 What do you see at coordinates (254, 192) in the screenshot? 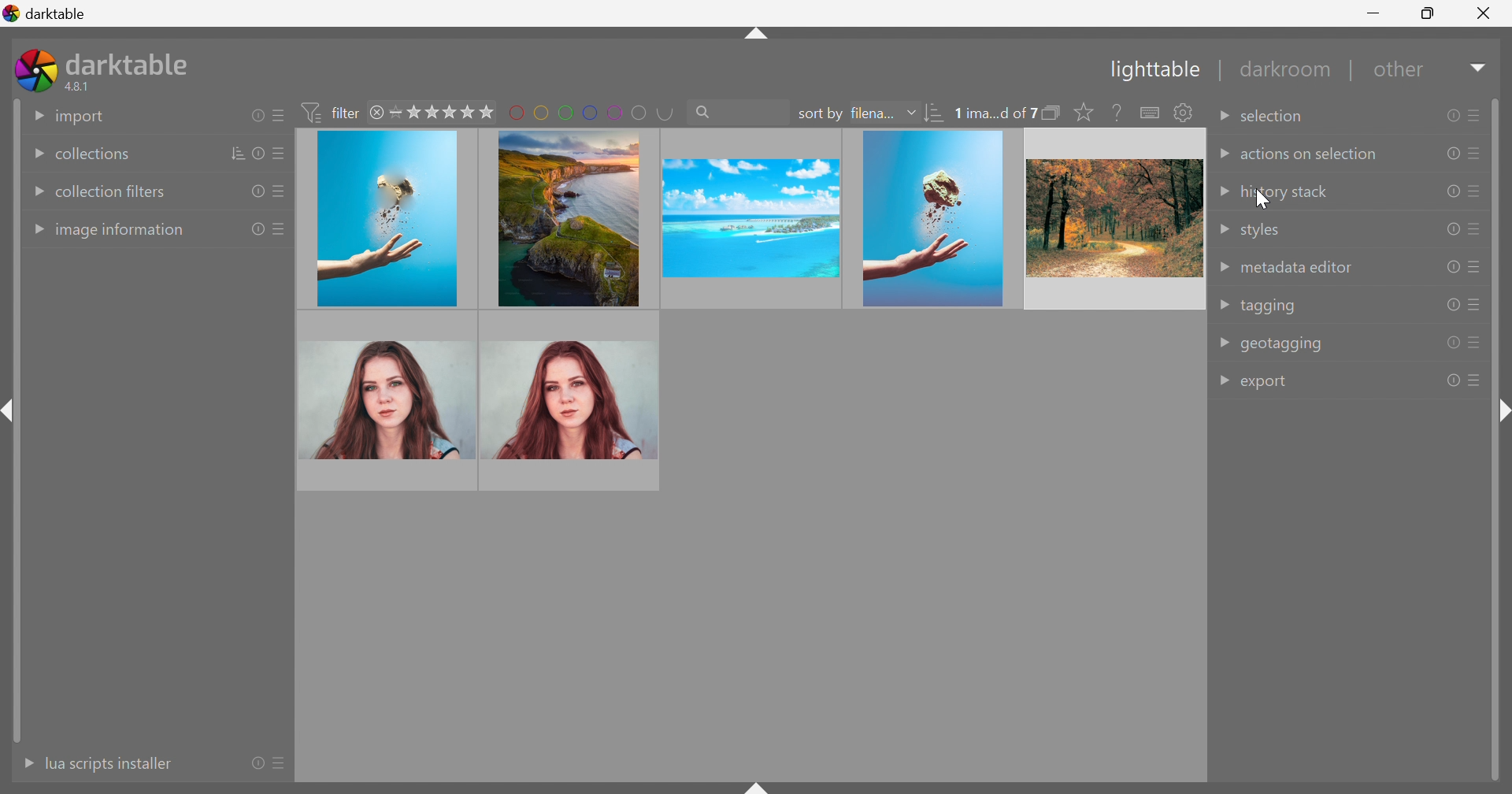
I see `reset` at bounding box center [254, 192].